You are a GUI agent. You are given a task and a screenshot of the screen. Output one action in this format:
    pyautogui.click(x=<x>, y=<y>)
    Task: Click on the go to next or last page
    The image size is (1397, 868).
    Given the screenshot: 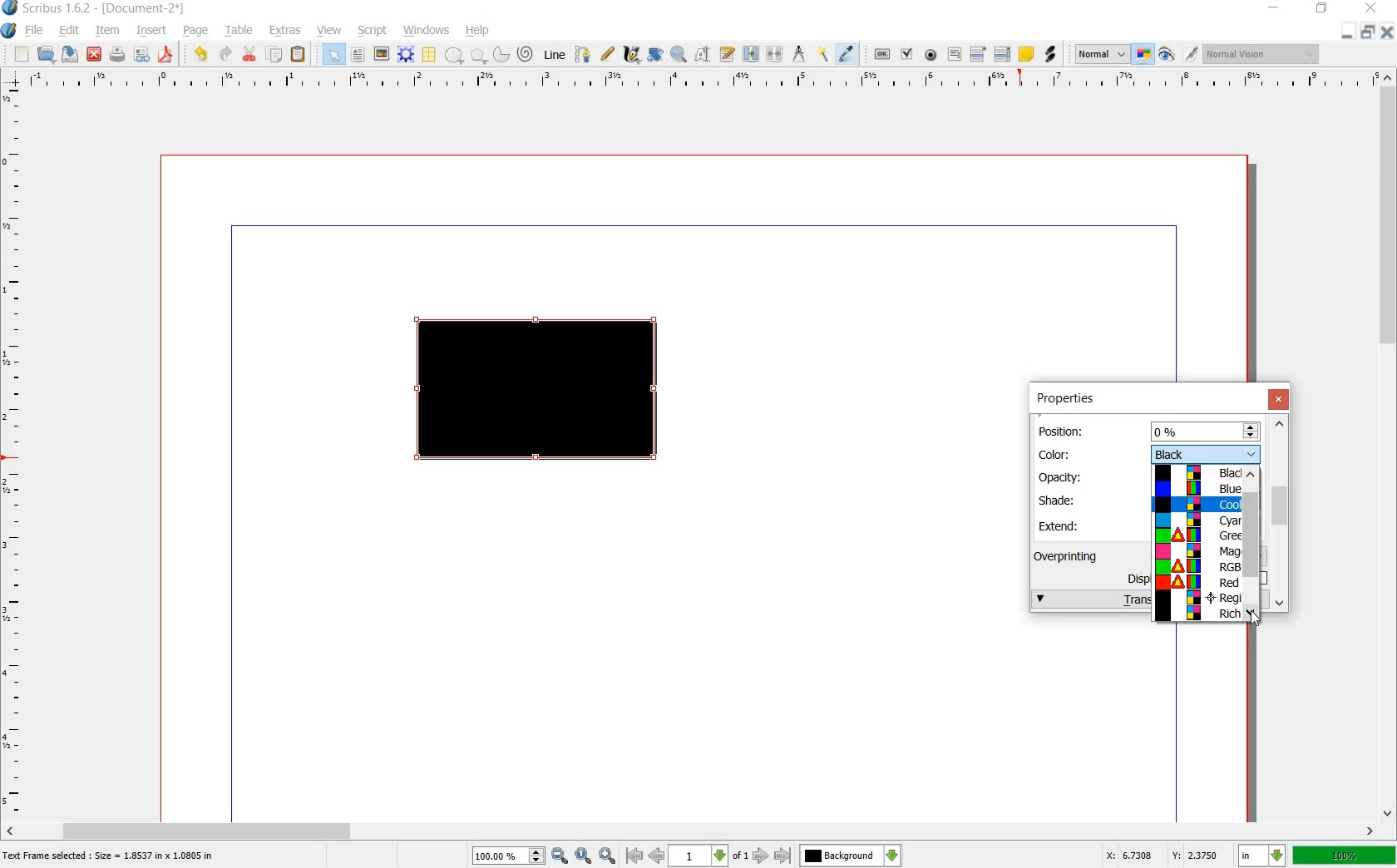 What is the action you would take?
    pyautogui.click(x=771, y=856)
    